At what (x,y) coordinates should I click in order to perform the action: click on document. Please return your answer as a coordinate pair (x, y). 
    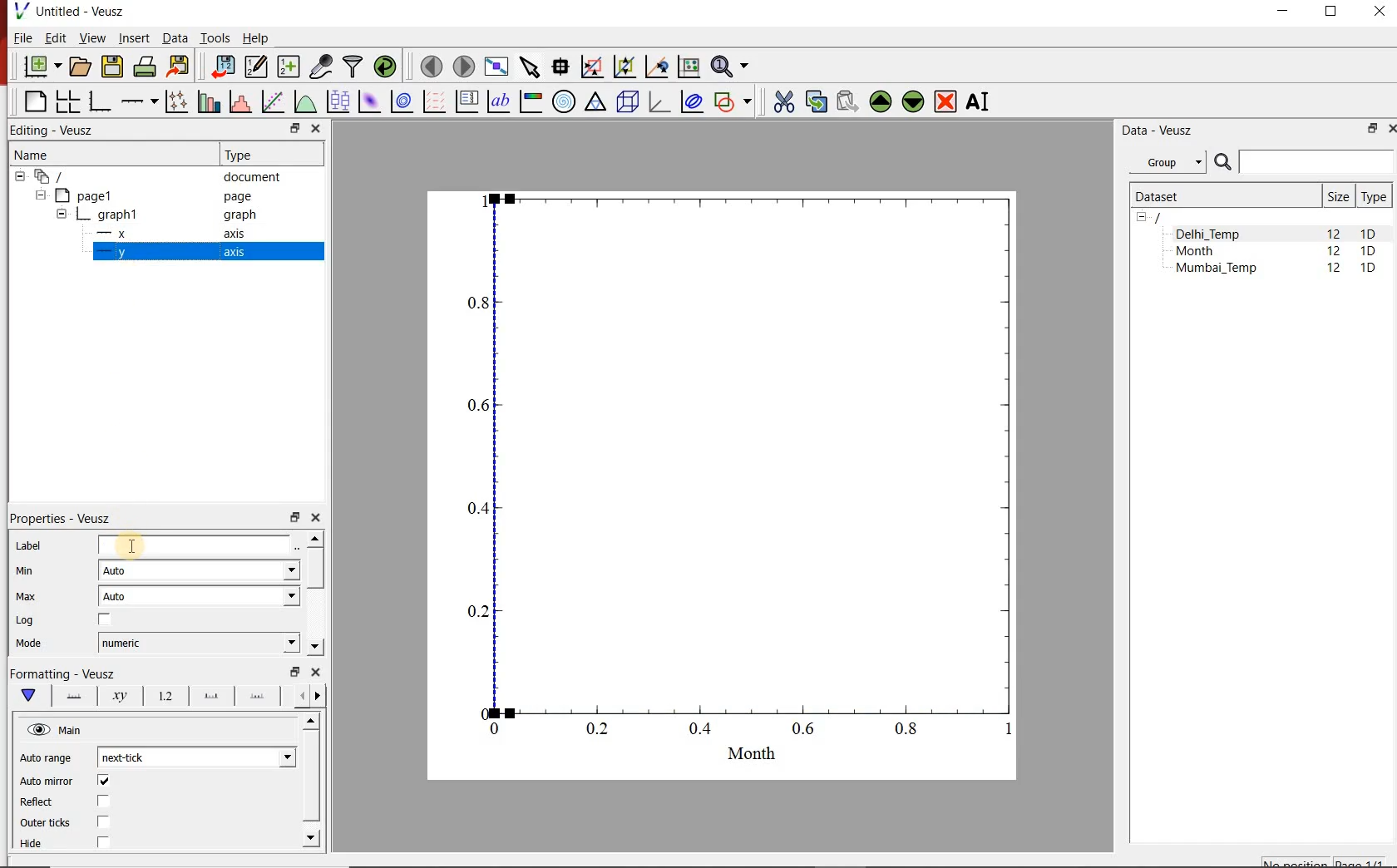
    Looking at the image, I should click on (151, 175).